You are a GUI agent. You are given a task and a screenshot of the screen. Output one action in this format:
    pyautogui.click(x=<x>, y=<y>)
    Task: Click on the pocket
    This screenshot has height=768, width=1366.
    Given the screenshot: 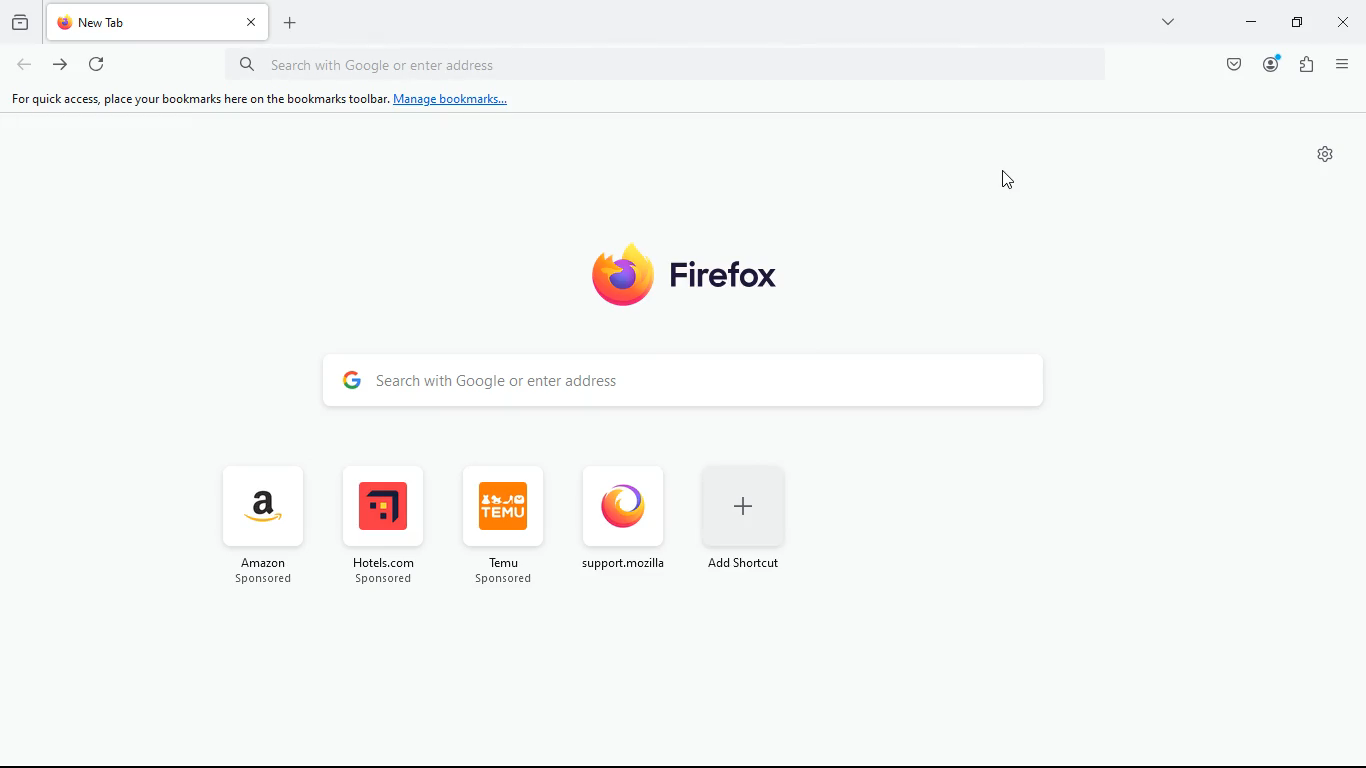 What is the action you would take?
    pyautogui.click(x=1230, y=64)
    